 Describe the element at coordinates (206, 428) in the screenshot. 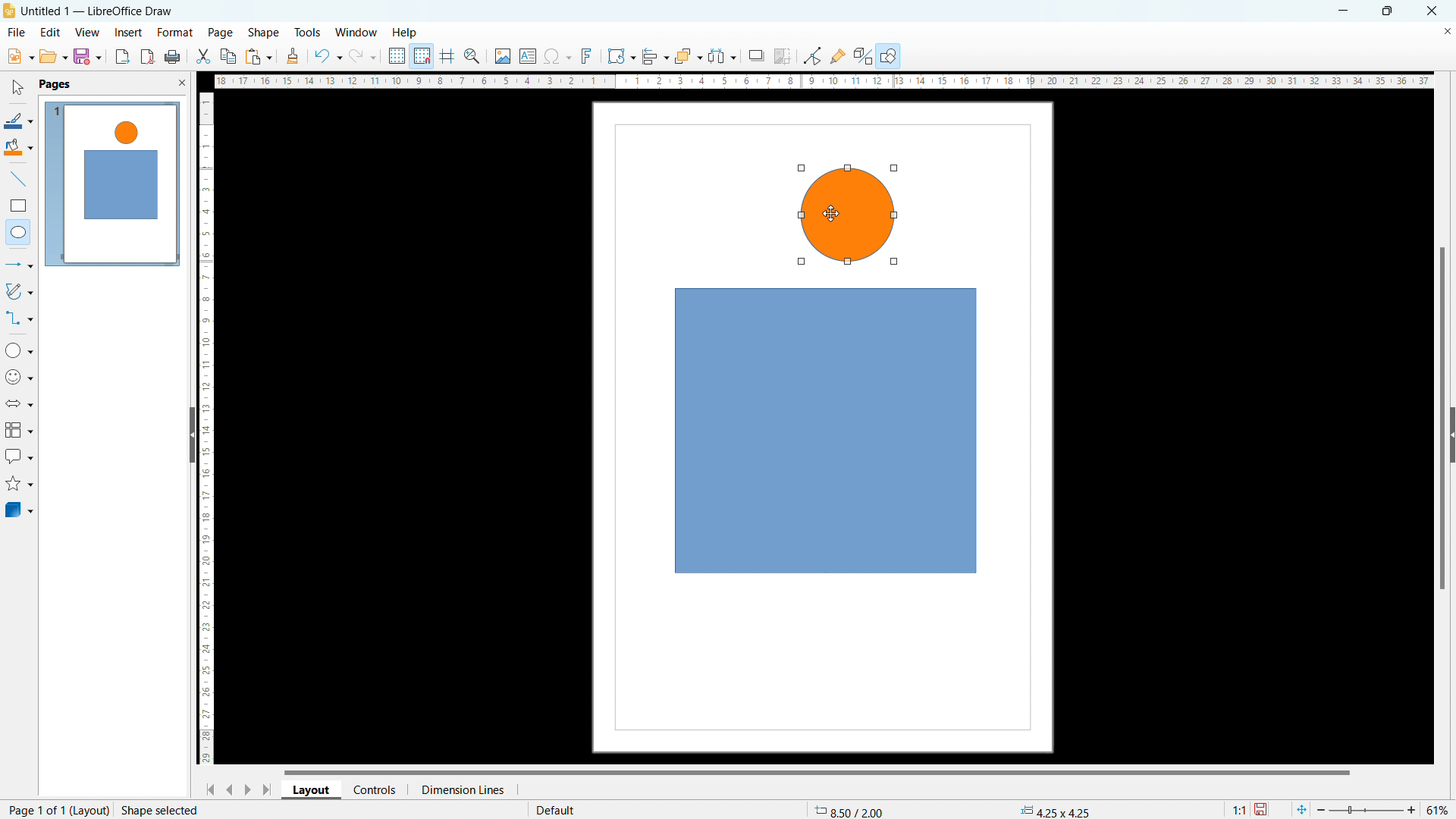

I see `vertical ruler` at that location.